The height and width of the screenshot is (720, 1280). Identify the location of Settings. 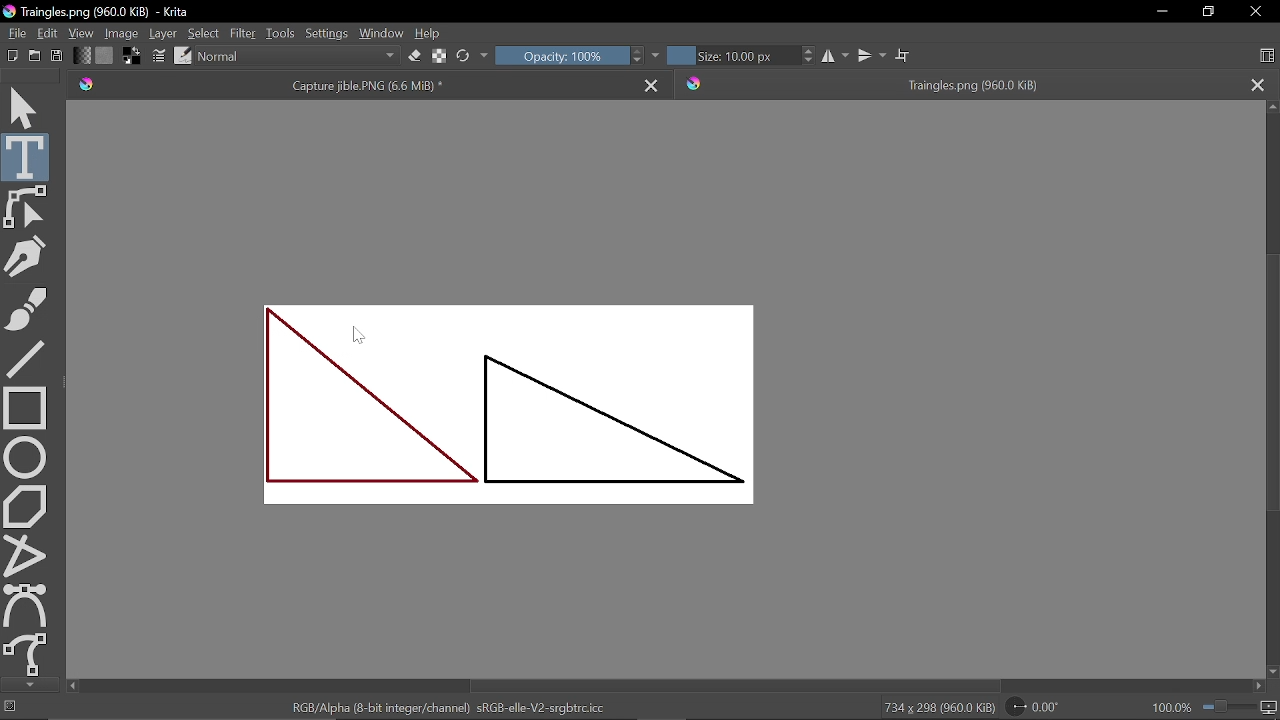
(326, 36).